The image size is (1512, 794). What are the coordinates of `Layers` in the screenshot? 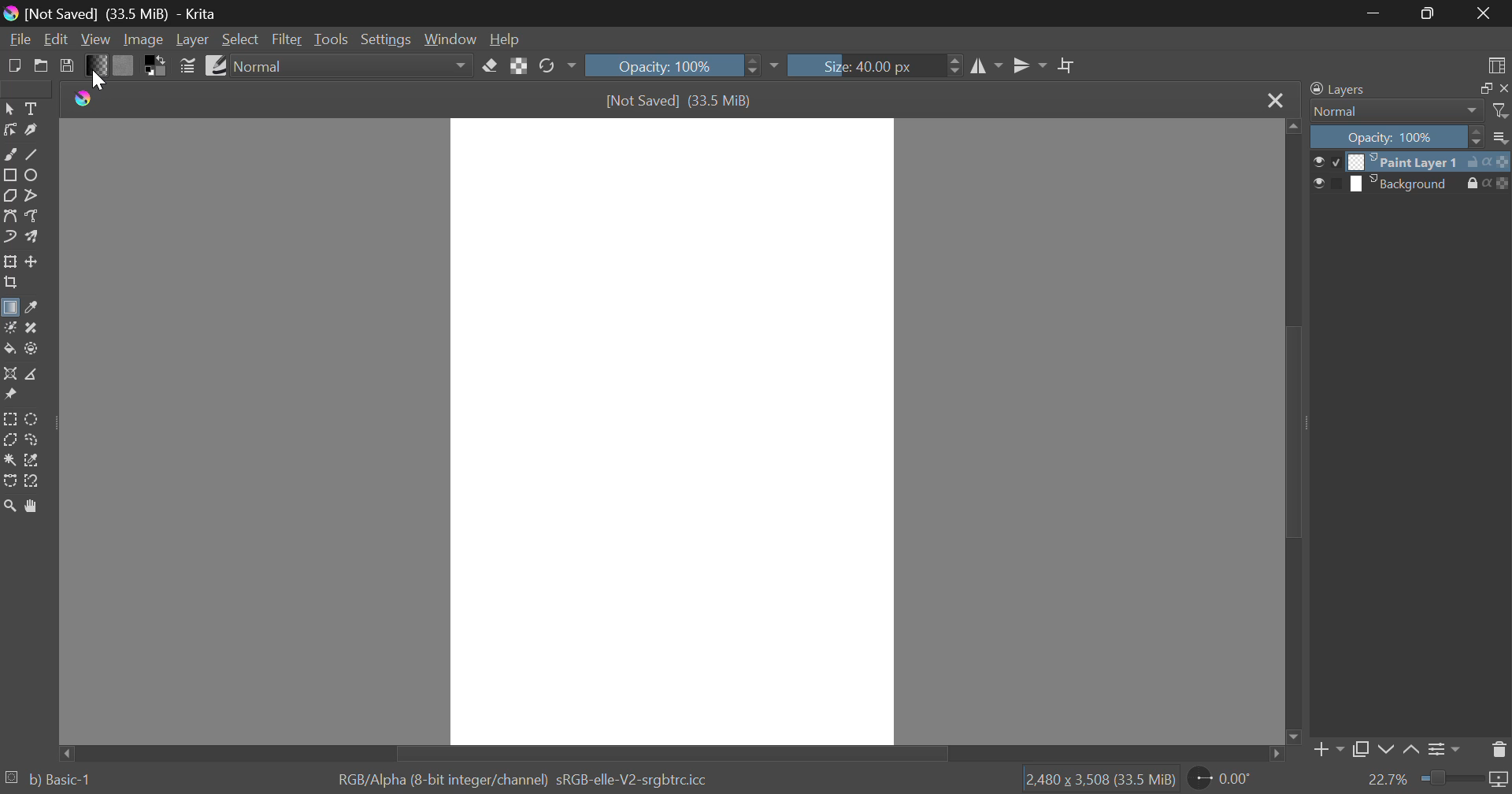 It's located at (1338, 90).